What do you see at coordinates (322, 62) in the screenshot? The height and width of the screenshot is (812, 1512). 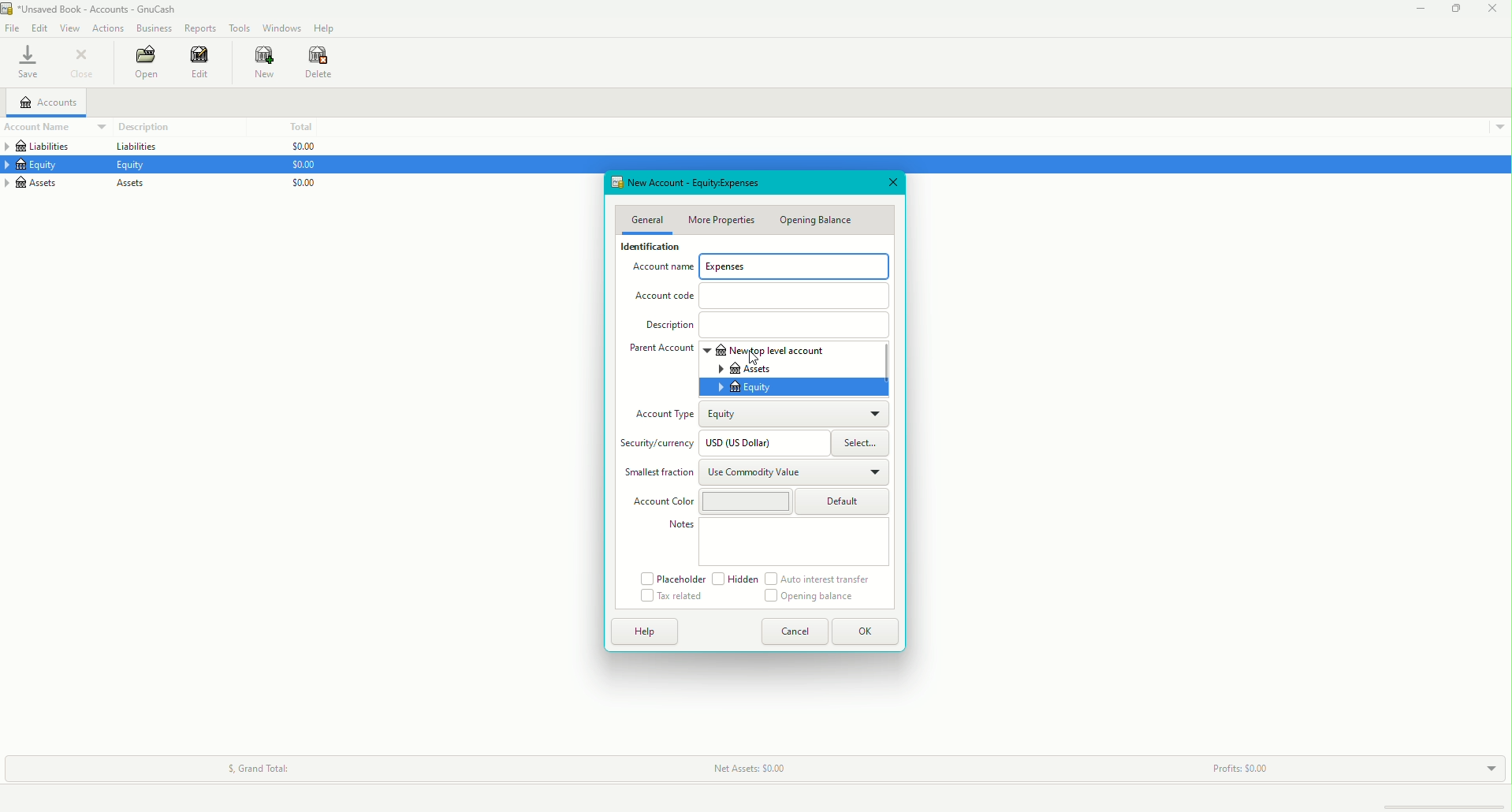 I see `Delete` at bounding box center [322, 62].